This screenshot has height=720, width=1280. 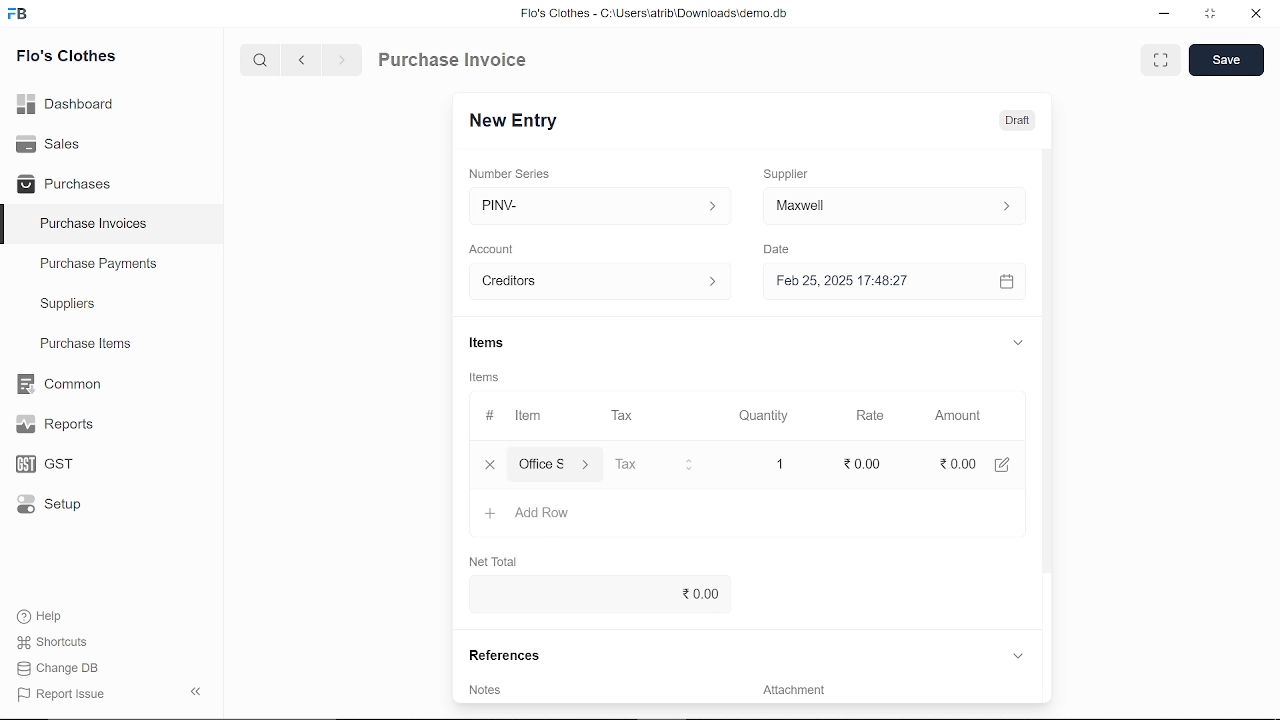 I want to click on Notes, so click(x=487, y=689).